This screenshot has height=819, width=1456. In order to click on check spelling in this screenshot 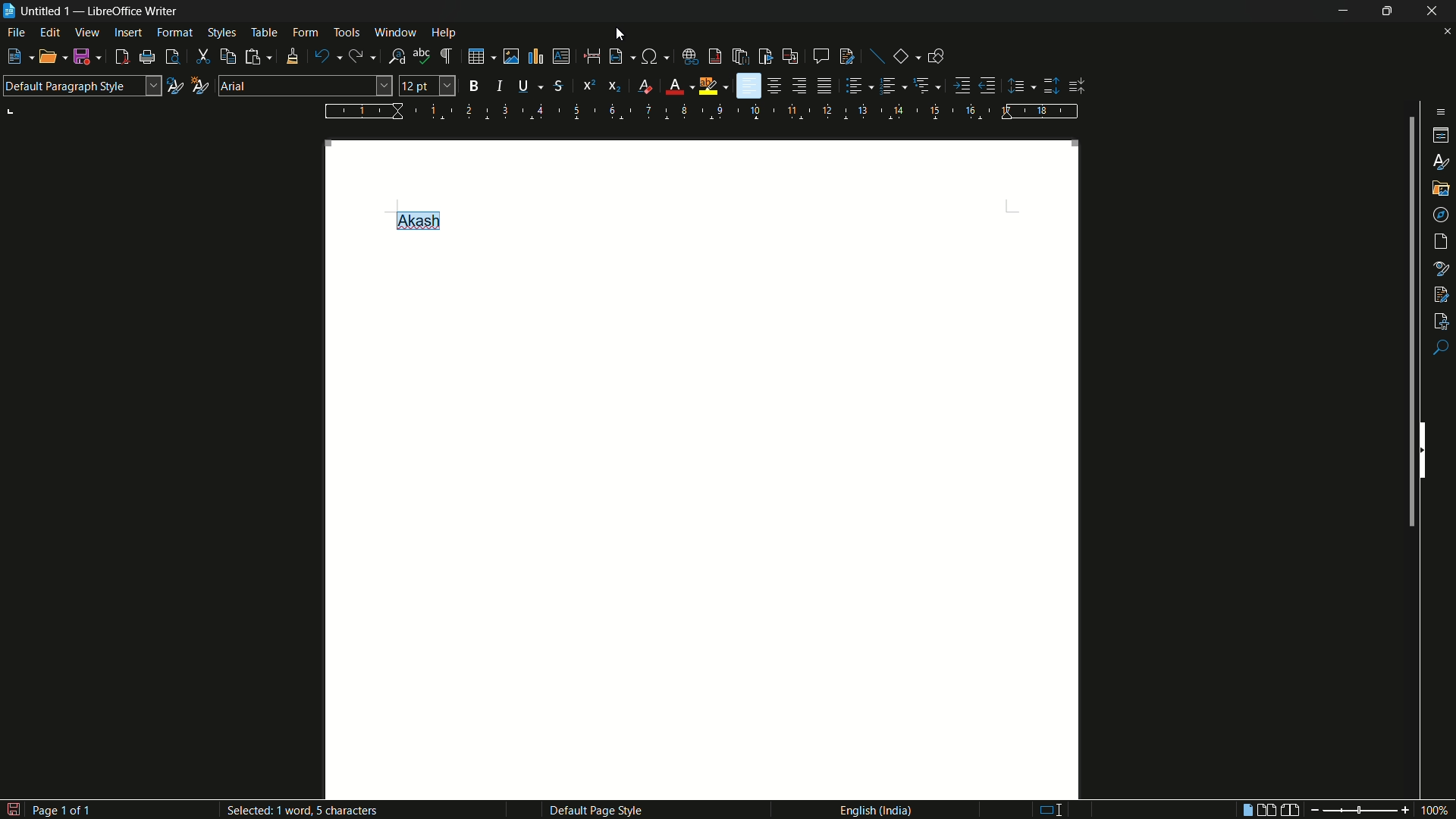, I will do `click(422, 56)`.